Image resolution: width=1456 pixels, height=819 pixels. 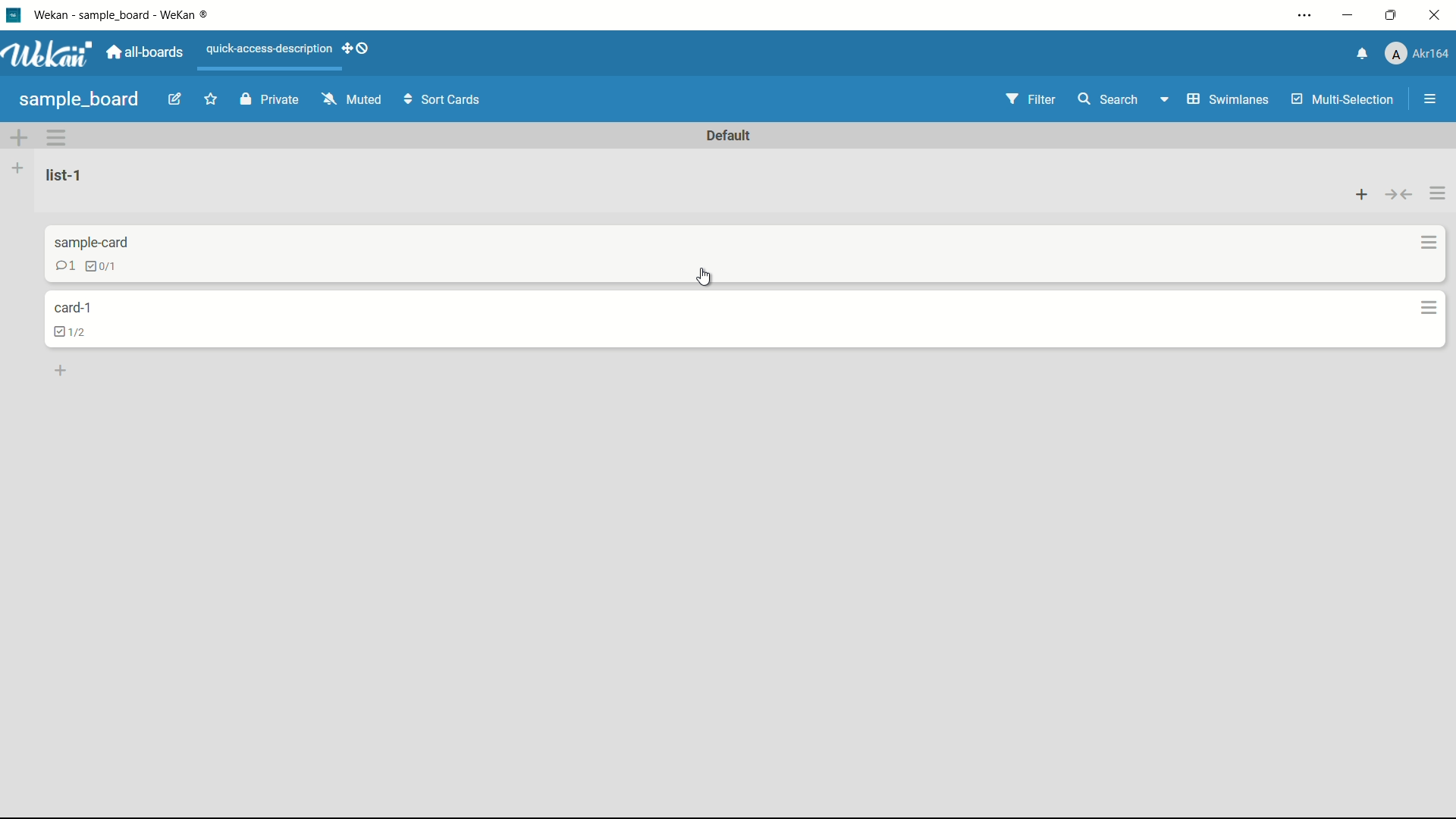 I want to click on cursor, so click(x=706, y=278).